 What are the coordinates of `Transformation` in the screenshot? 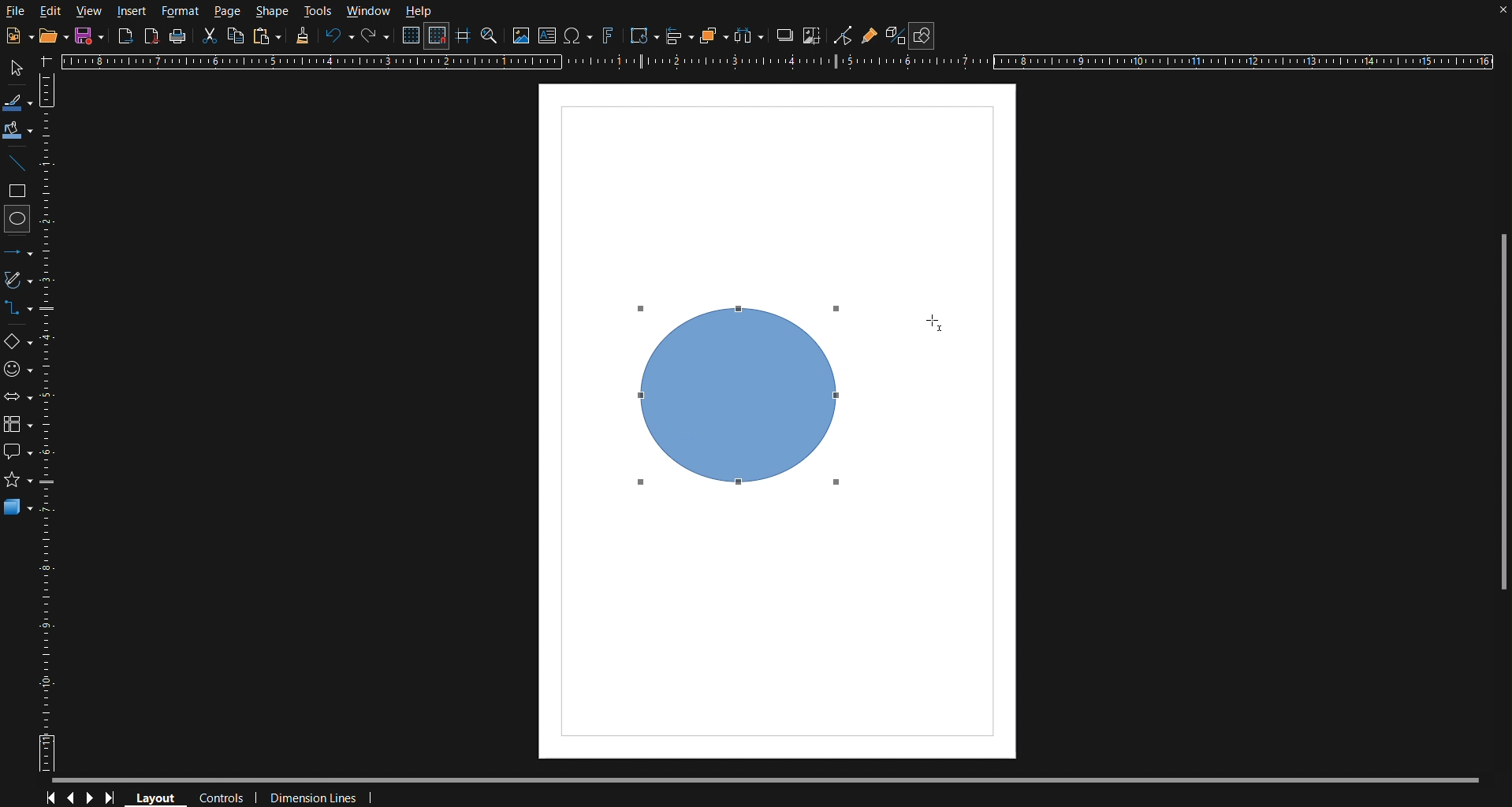 It's located at (643, 36).